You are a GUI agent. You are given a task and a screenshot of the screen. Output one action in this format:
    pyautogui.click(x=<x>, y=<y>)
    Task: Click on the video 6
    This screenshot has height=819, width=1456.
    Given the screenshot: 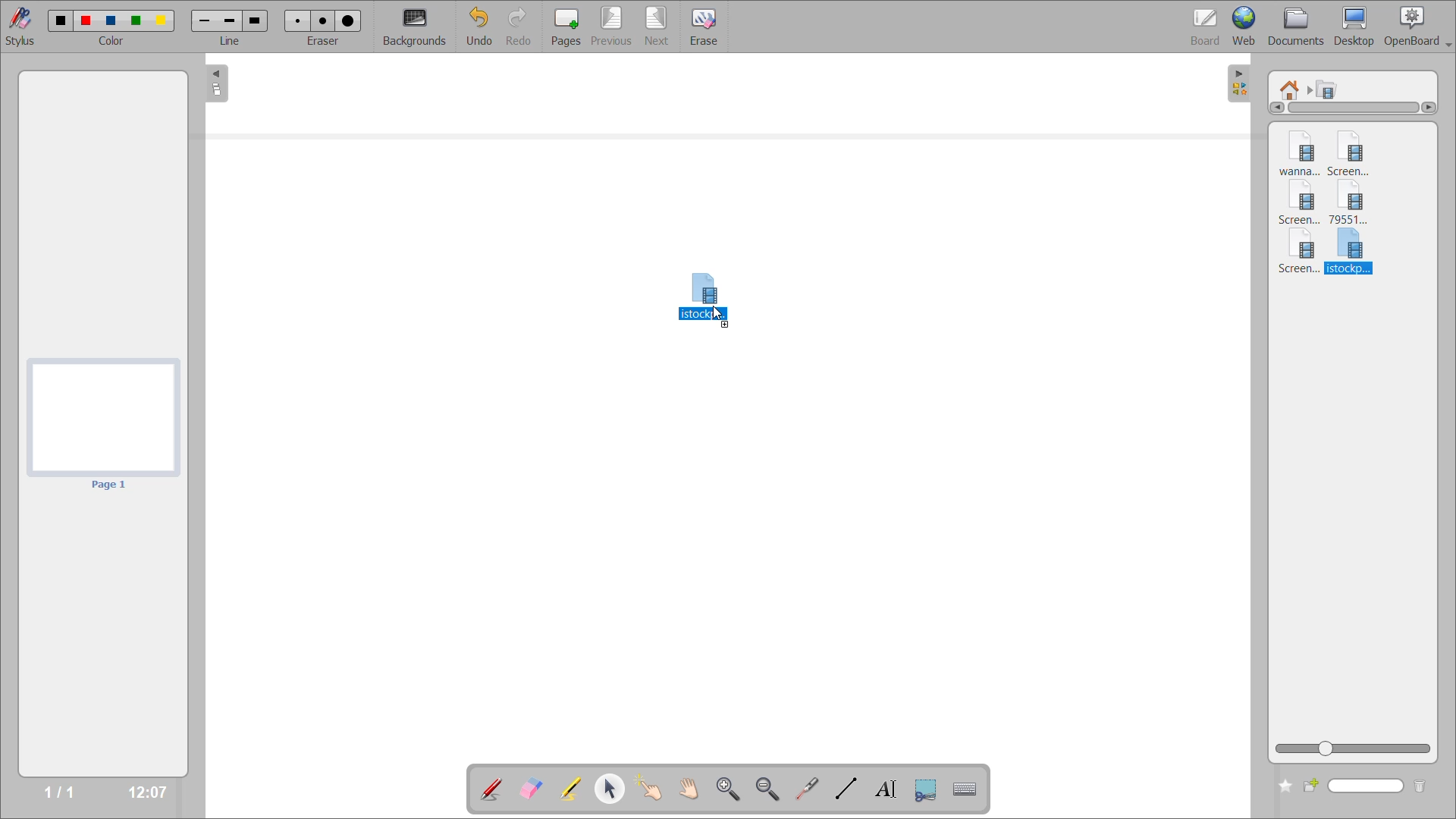 What is the action you would take?
    pyautogui.click(x=1349, y=253)
    